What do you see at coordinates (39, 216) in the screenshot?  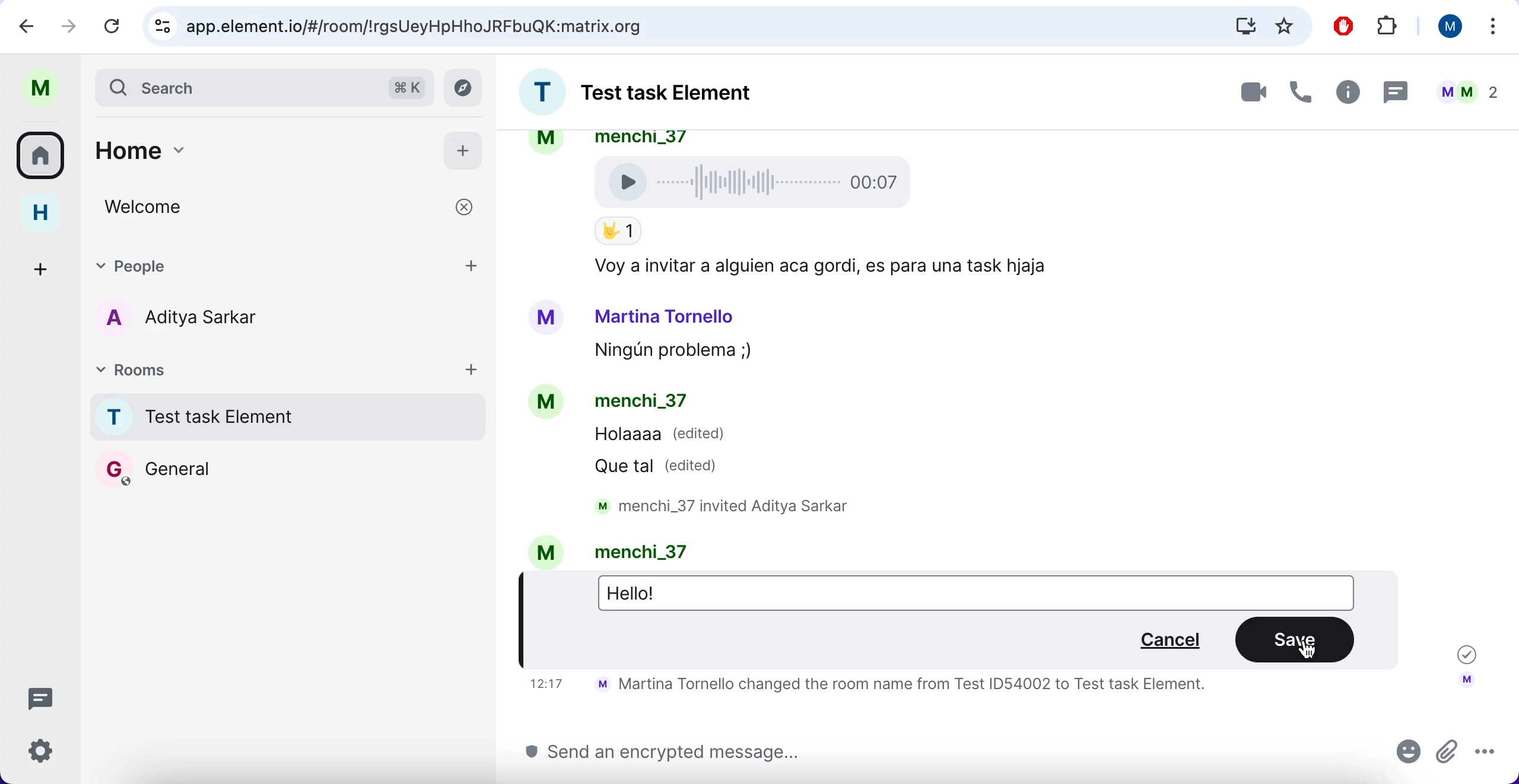 I see `home` at bounding box center [39, 216].